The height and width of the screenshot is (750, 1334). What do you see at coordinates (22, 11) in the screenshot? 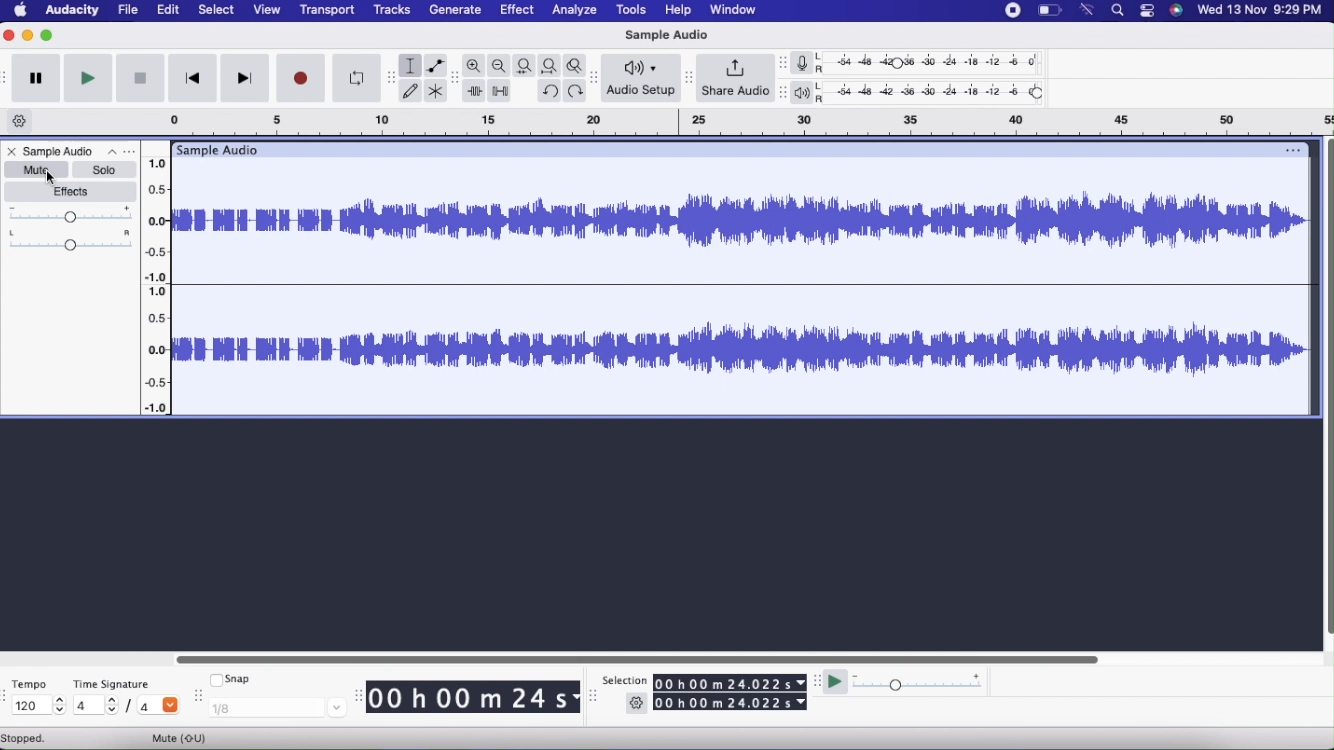
I see `Home` at bounding box center [22, 11].